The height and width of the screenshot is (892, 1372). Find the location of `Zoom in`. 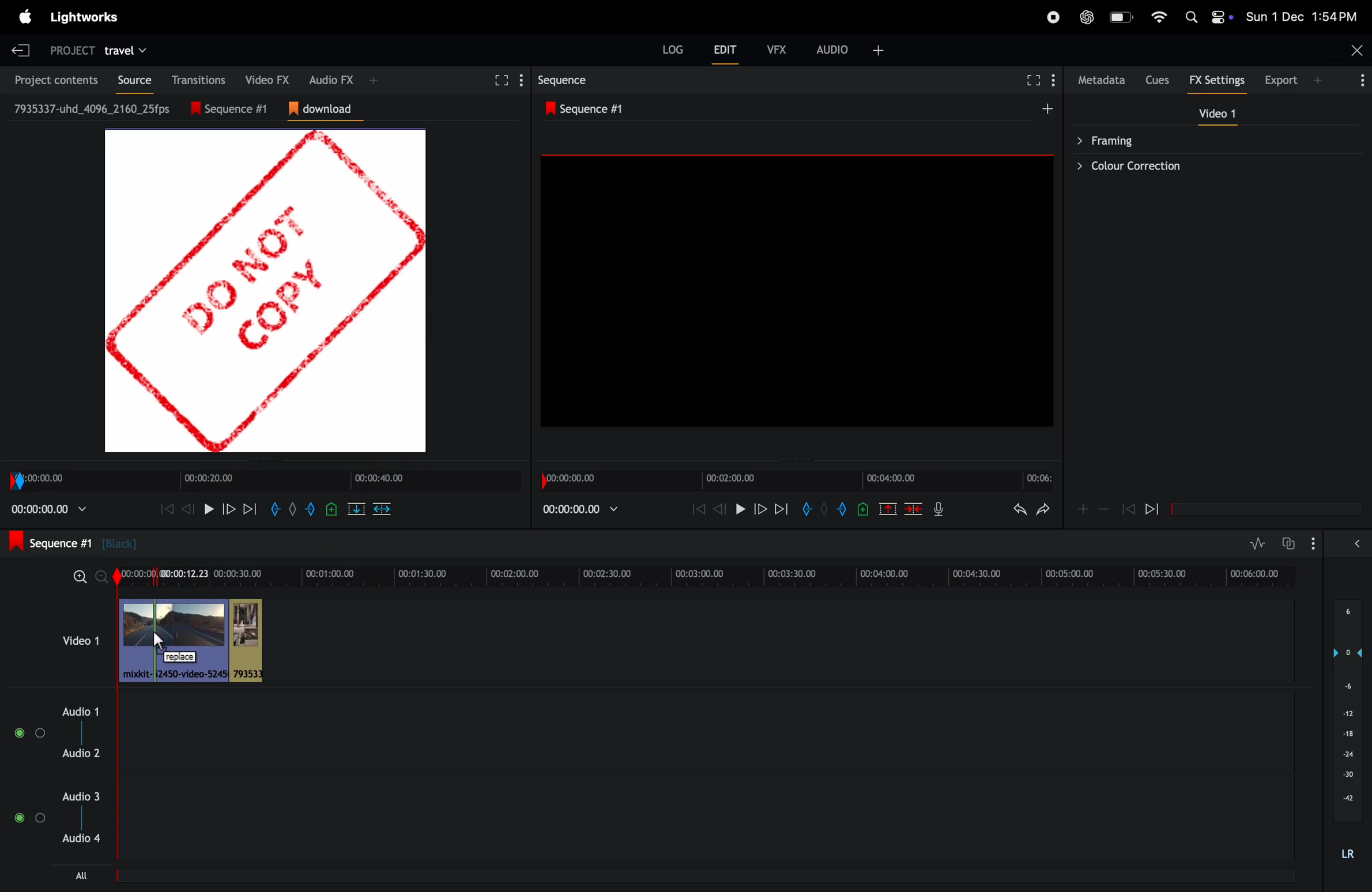

Zoom in is located at coordinates (80, 577).